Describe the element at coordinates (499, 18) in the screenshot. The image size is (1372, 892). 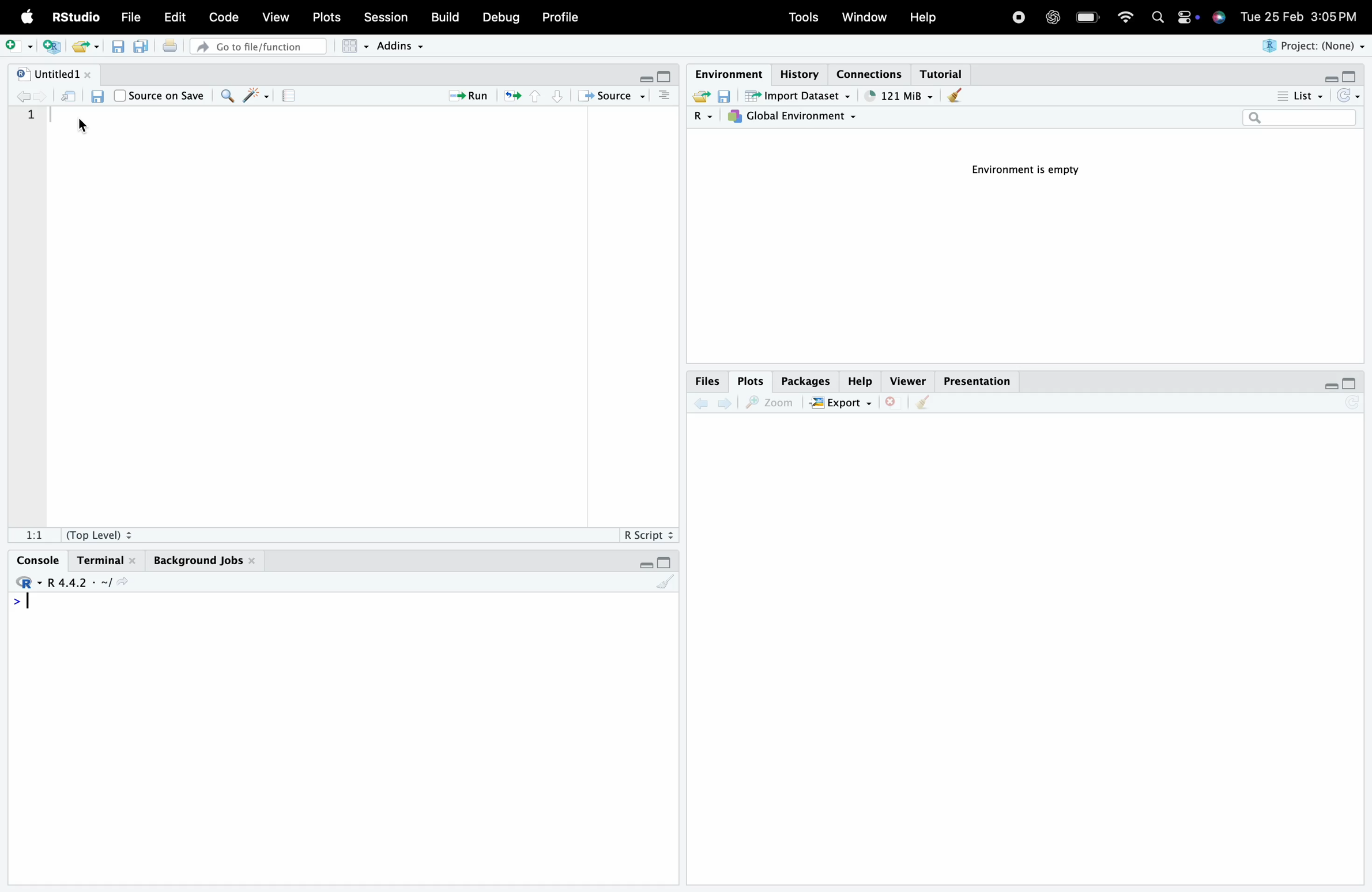
I see `Debug` at that location.